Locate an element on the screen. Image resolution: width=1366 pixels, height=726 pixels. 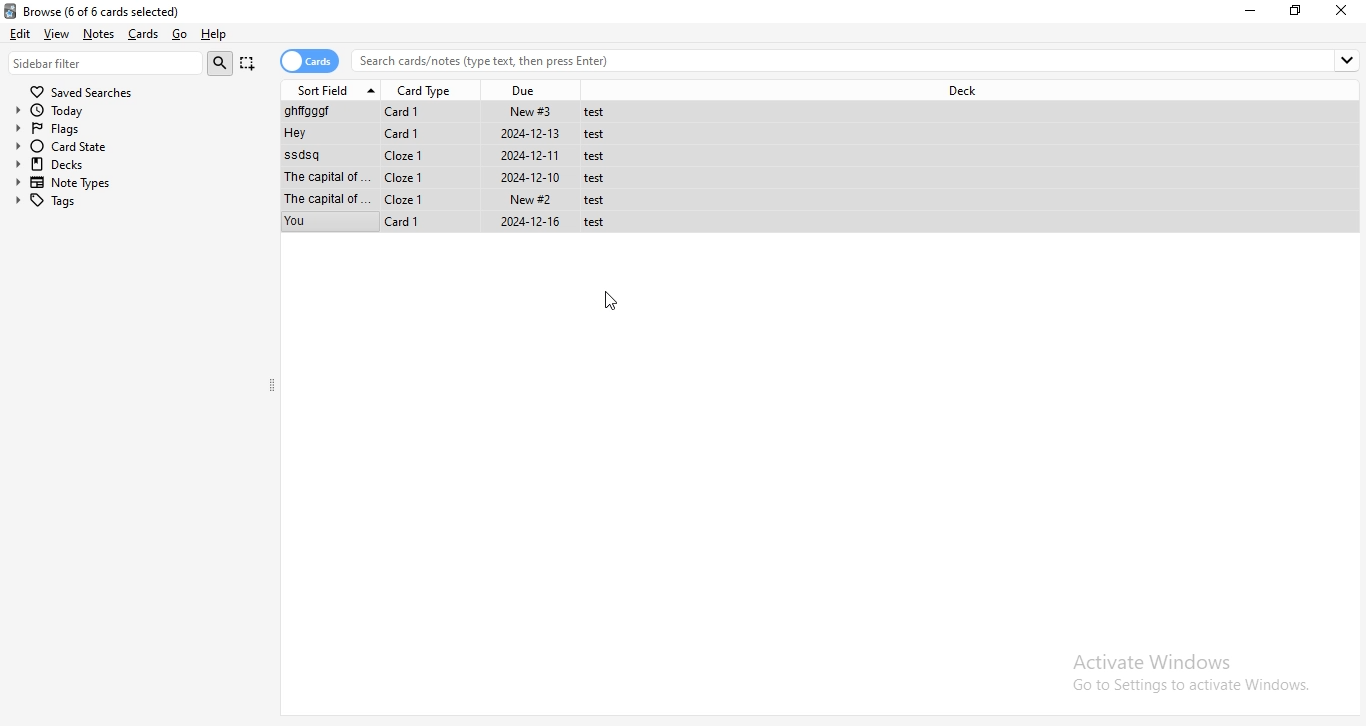
Capture is located at coordinates (248, 63).